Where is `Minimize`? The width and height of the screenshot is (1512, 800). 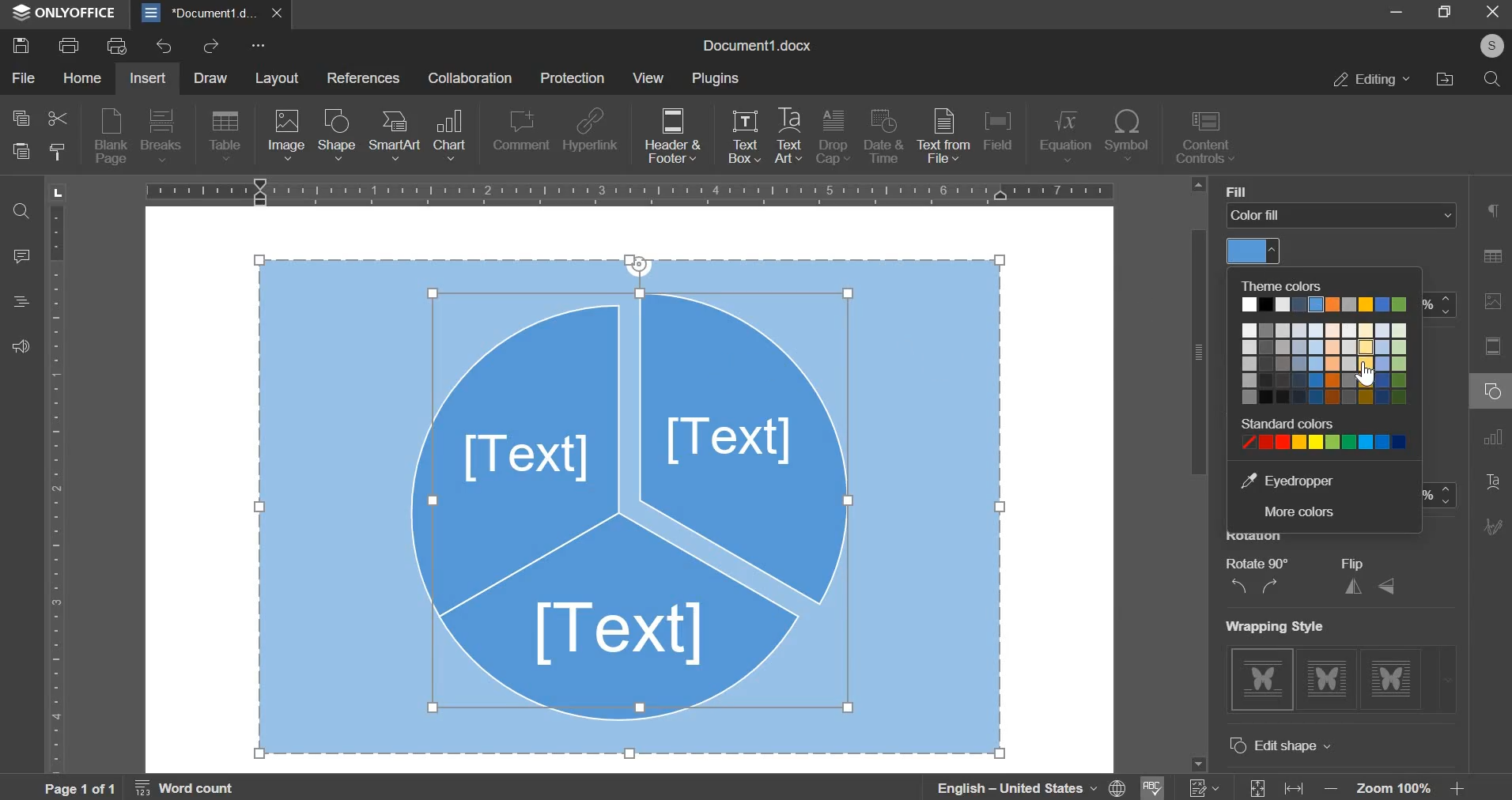 Minimize is located at coordinates (1397, 13).